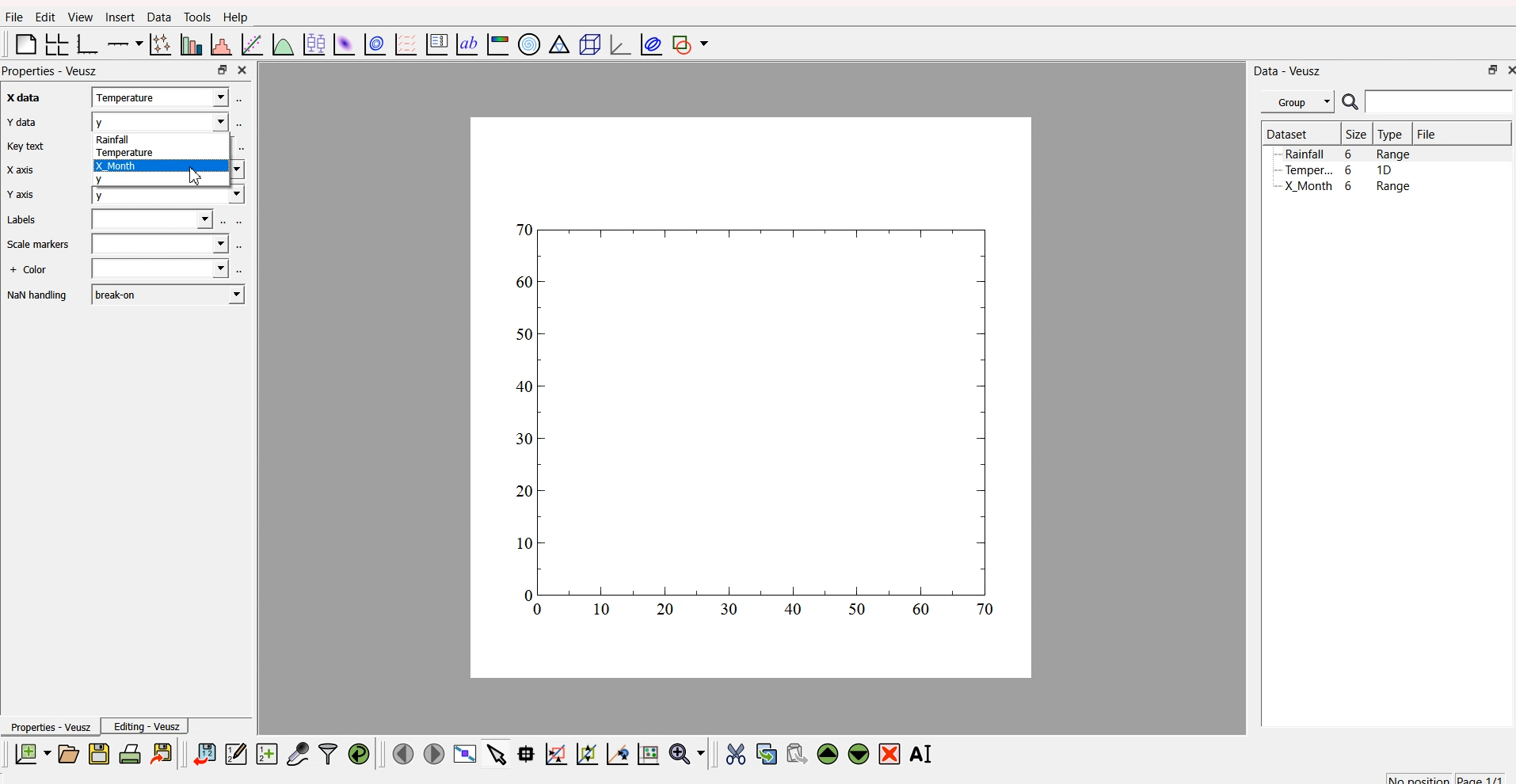 This screenshot has height=784, width=1516. Describe the element at coordinates (648, 44) in the screenshot. I see `plot covariance ellipses` at that location.